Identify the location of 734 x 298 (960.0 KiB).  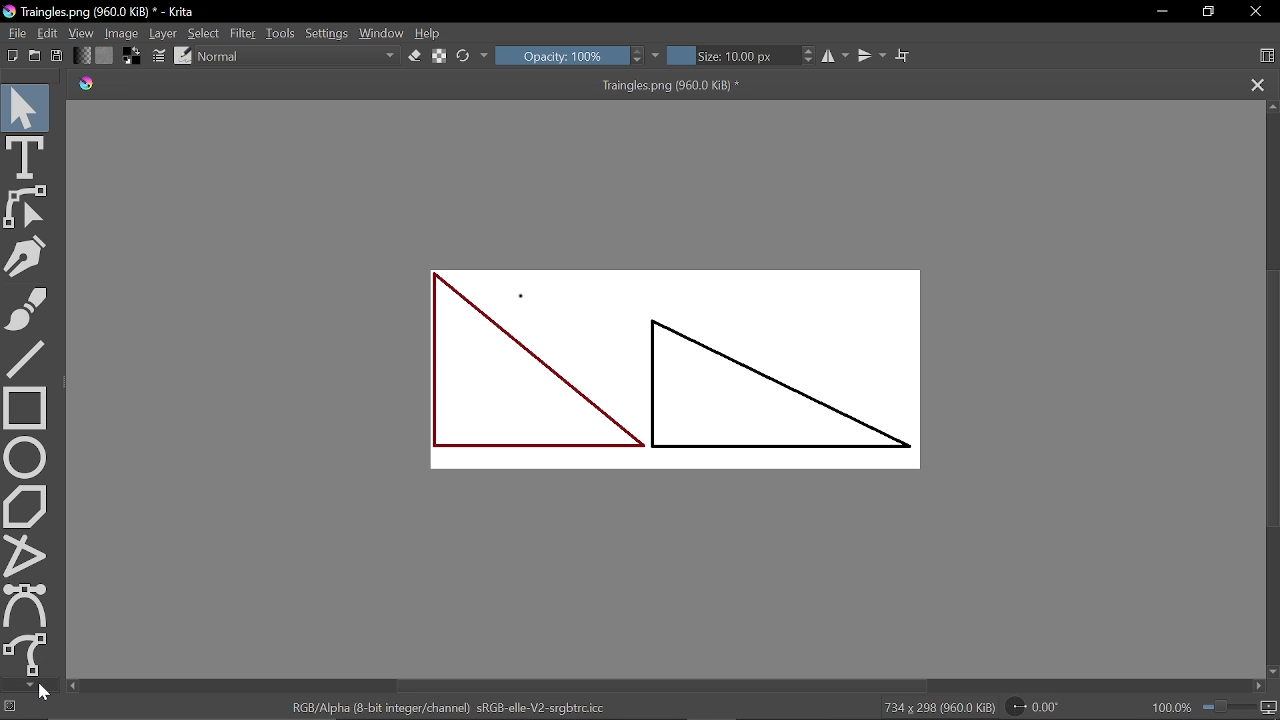
(938, 708).